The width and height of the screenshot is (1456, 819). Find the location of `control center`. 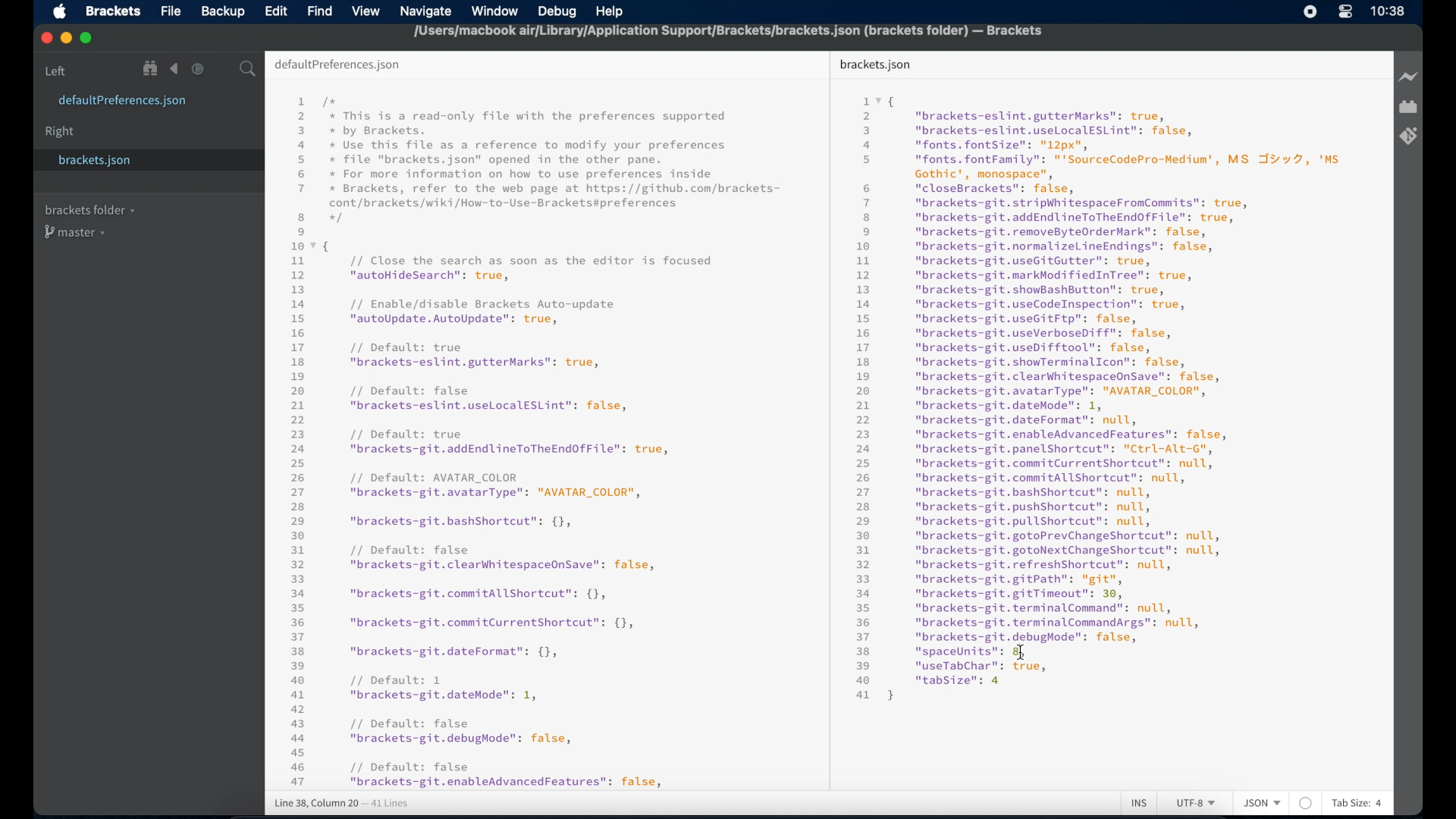

control center is located at coordinates (1345, 11).